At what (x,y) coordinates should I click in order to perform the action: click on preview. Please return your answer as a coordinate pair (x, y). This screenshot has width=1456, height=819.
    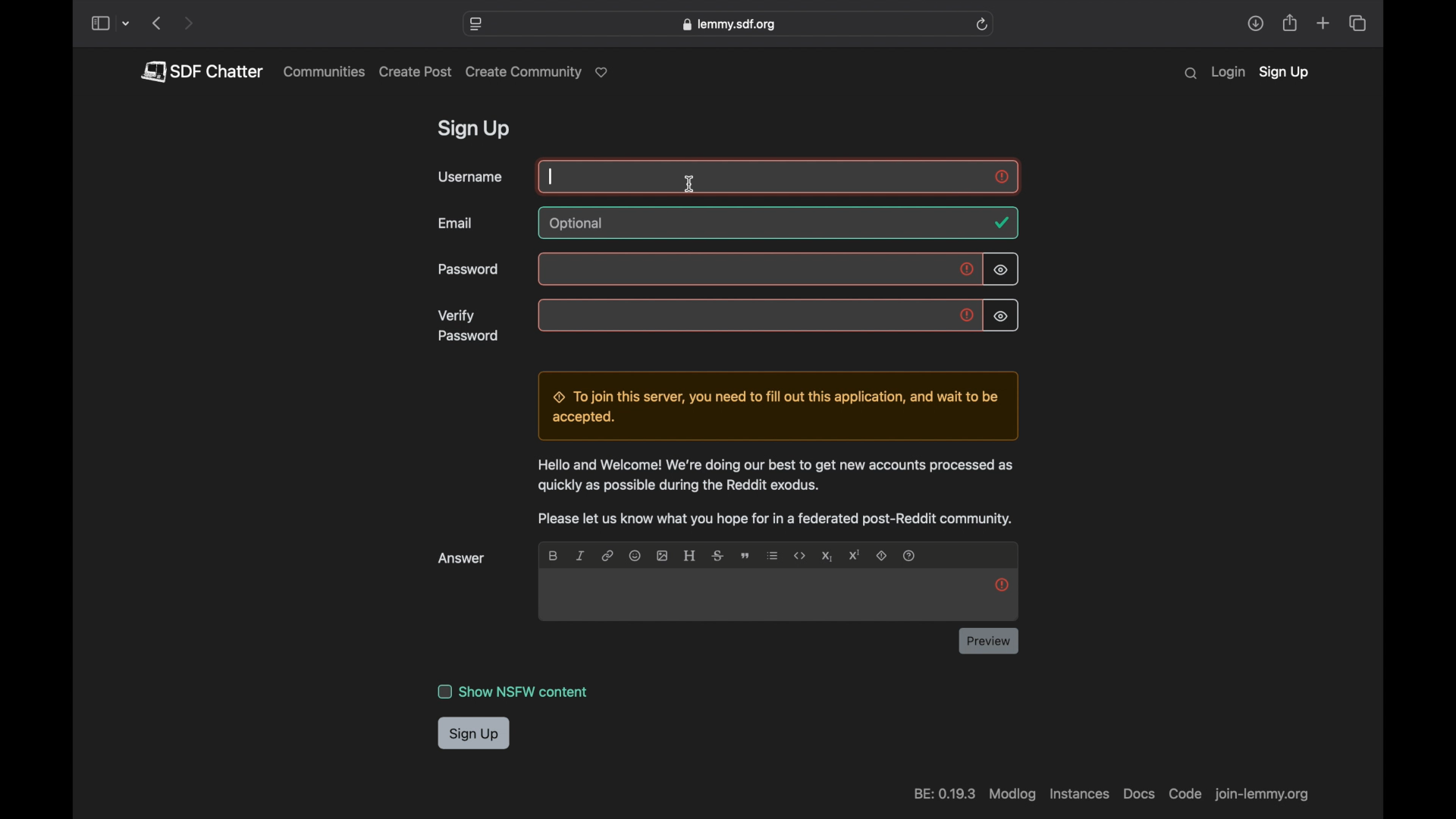
    Looking at the image, I should click on (989, 641).